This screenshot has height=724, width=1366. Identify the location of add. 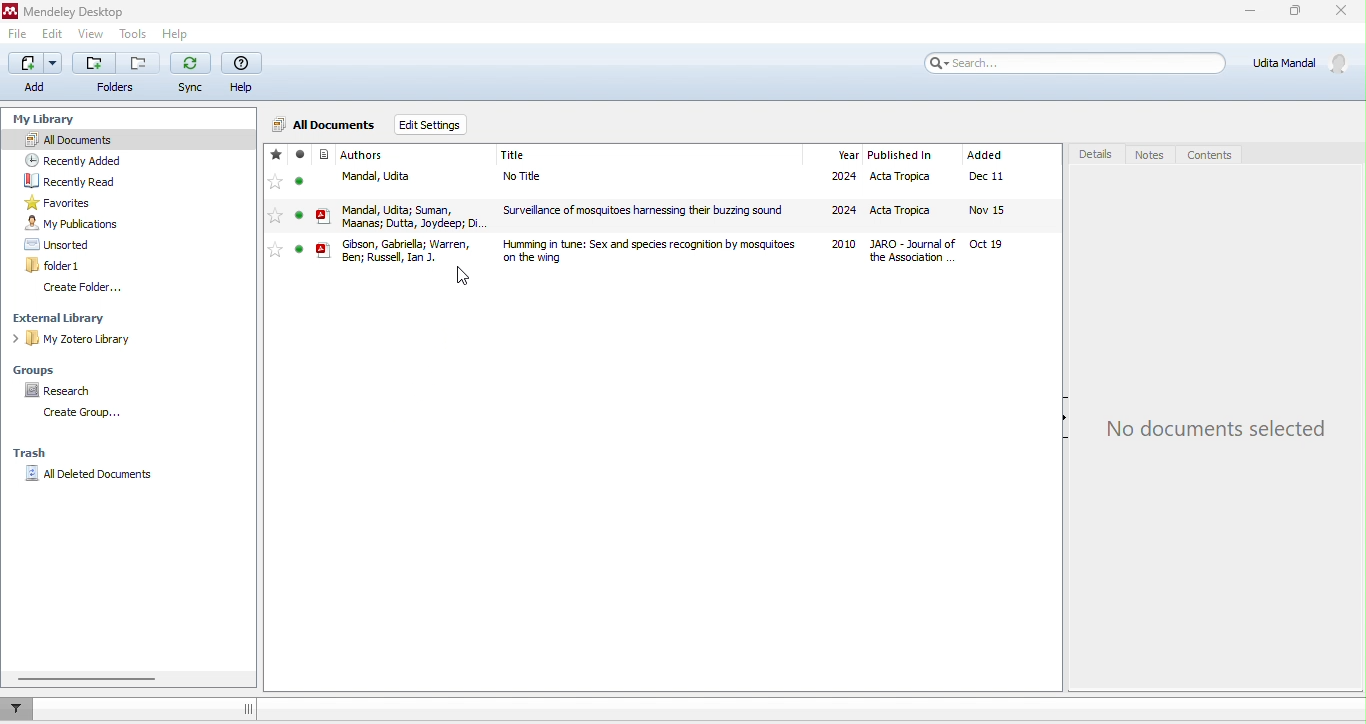
(33, 74).